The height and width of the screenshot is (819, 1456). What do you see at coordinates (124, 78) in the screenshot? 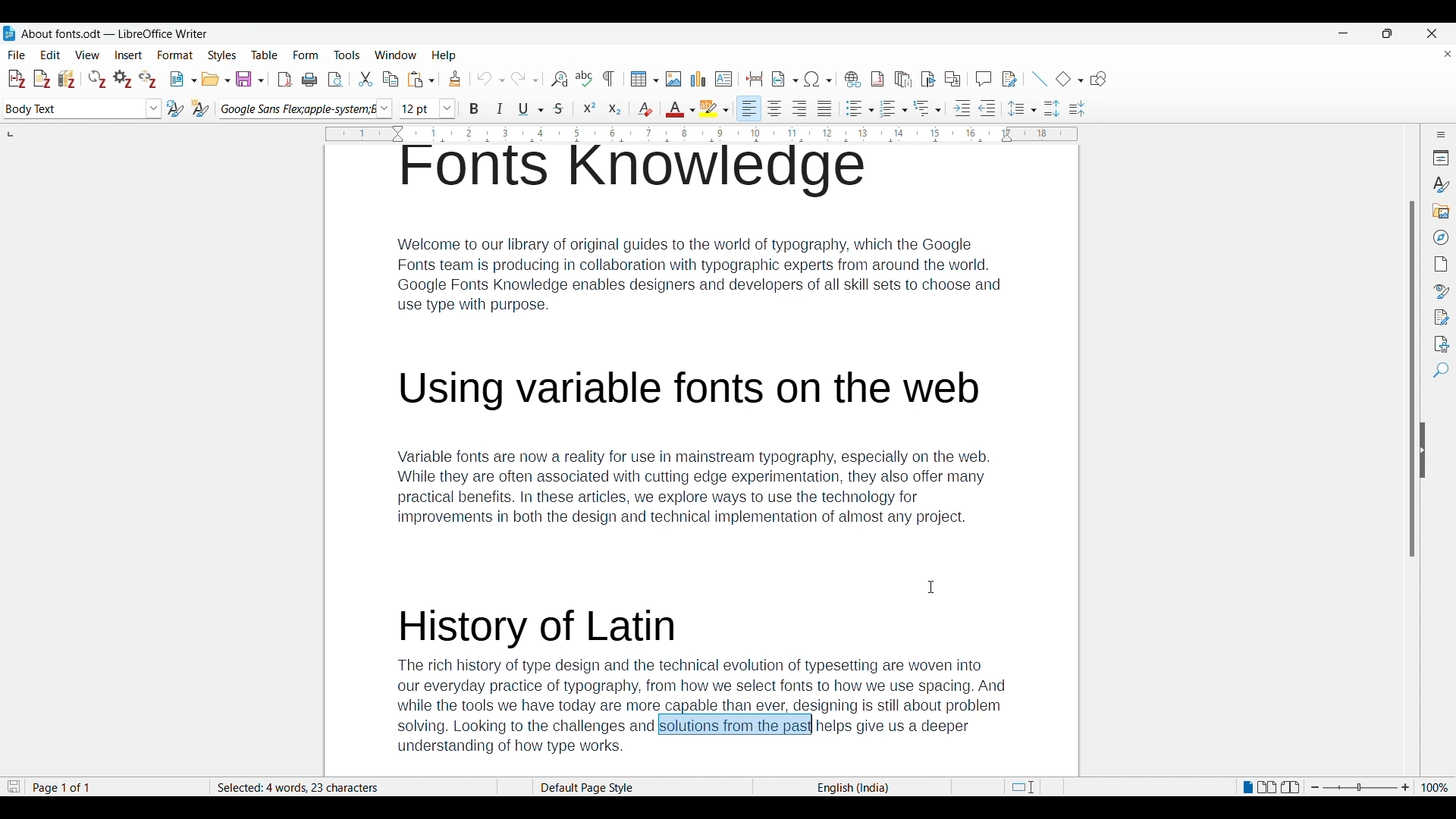
I see `Set document preferences` at bounding box center [124, 78].